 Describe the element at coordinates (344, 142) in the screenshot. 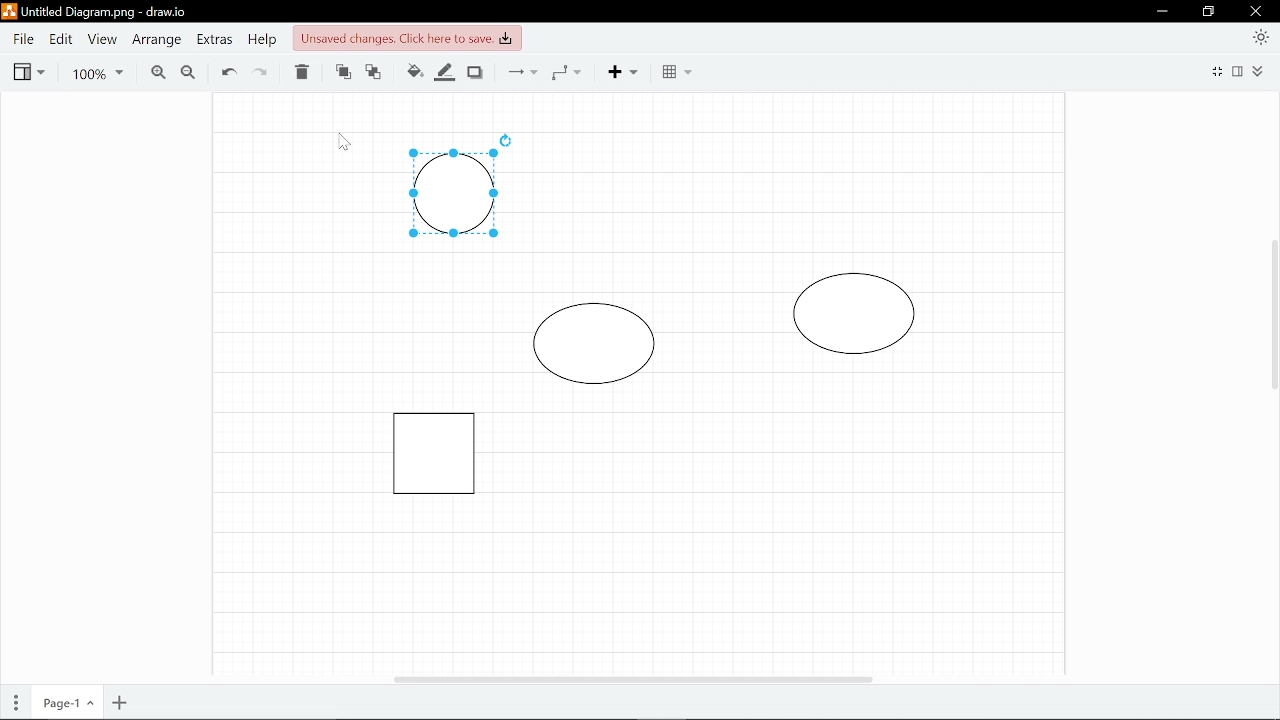

I see `Cursor` at that location.